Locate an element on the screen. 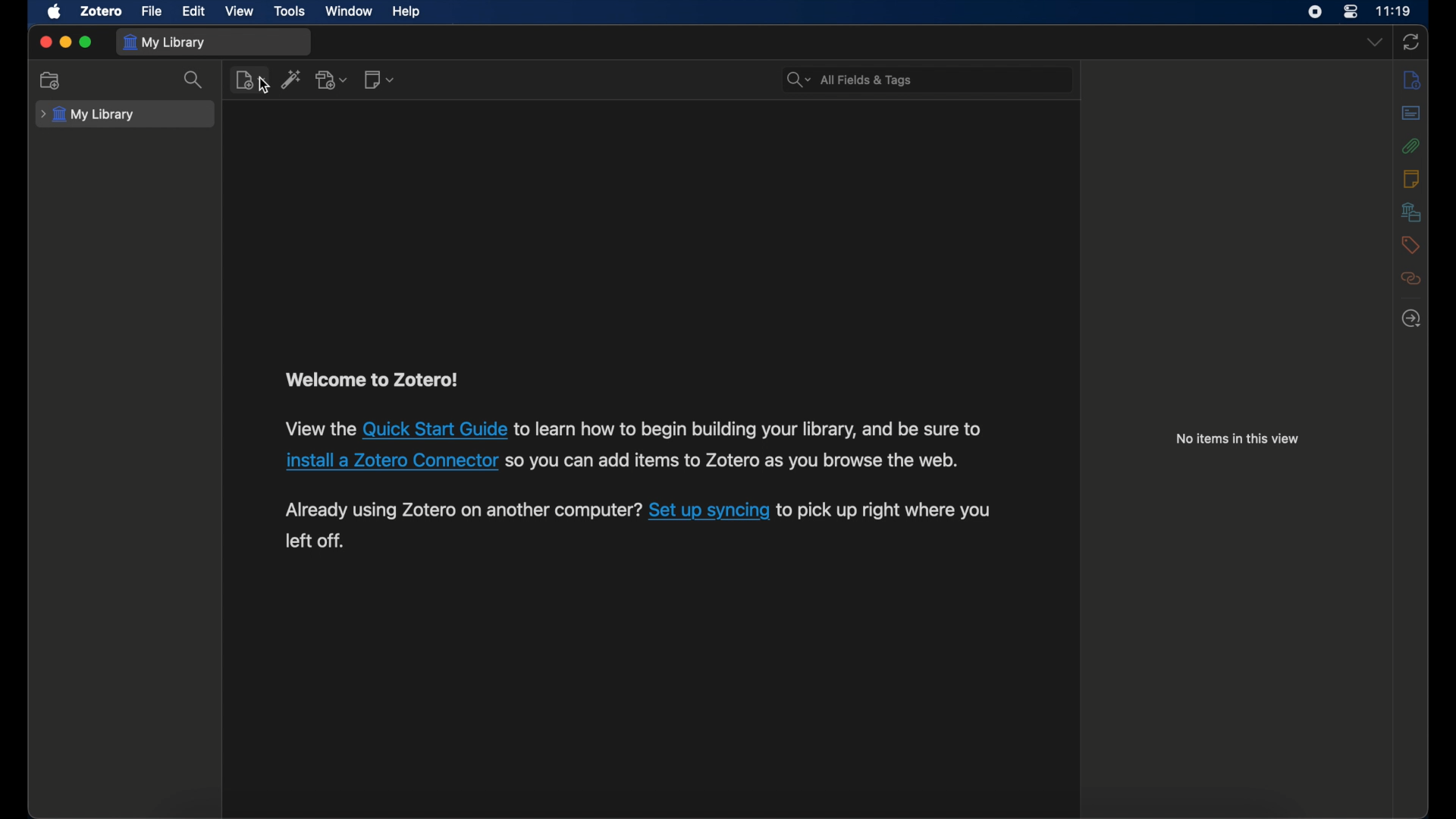 This screenshot has width=1456, height=819. my library is located at coordinates (165, 42).